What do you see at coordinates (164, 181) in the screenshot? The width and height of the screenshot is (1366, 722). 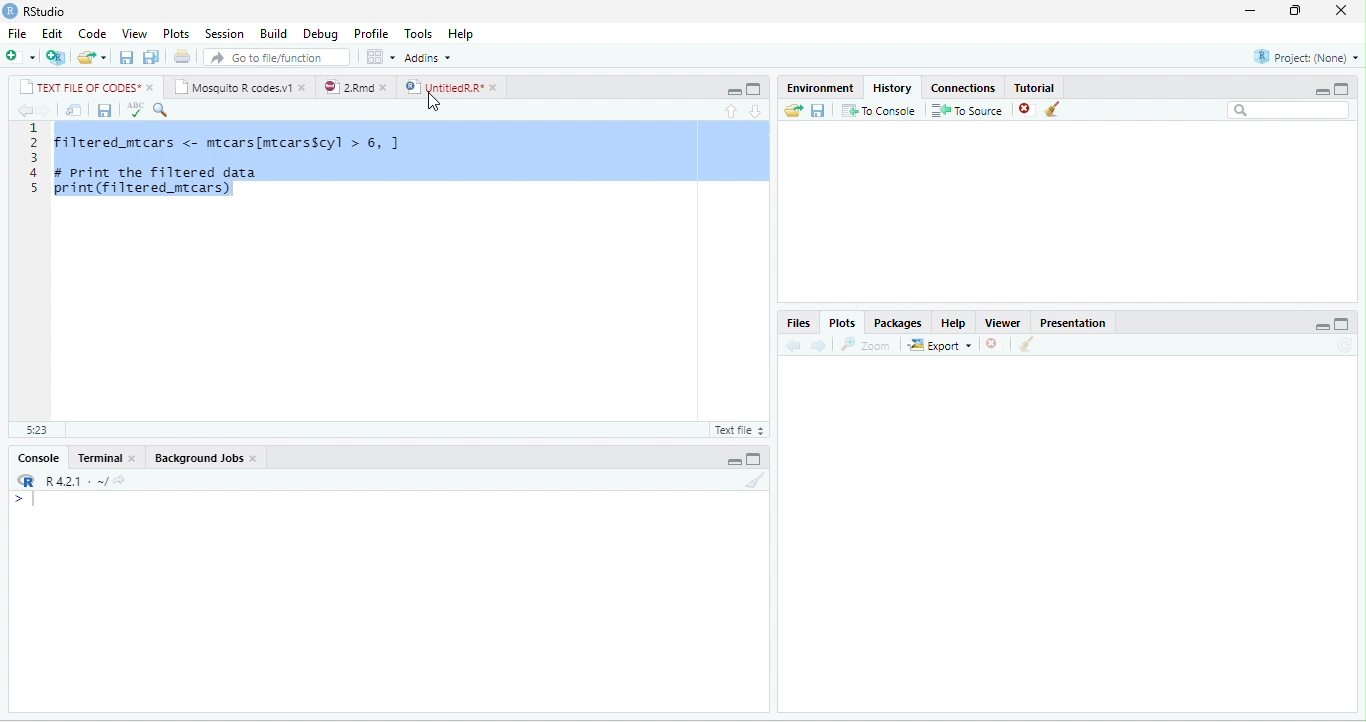 I see `# print the filtered data
print (filtered mtcars)` at bounding box center [164, 181].